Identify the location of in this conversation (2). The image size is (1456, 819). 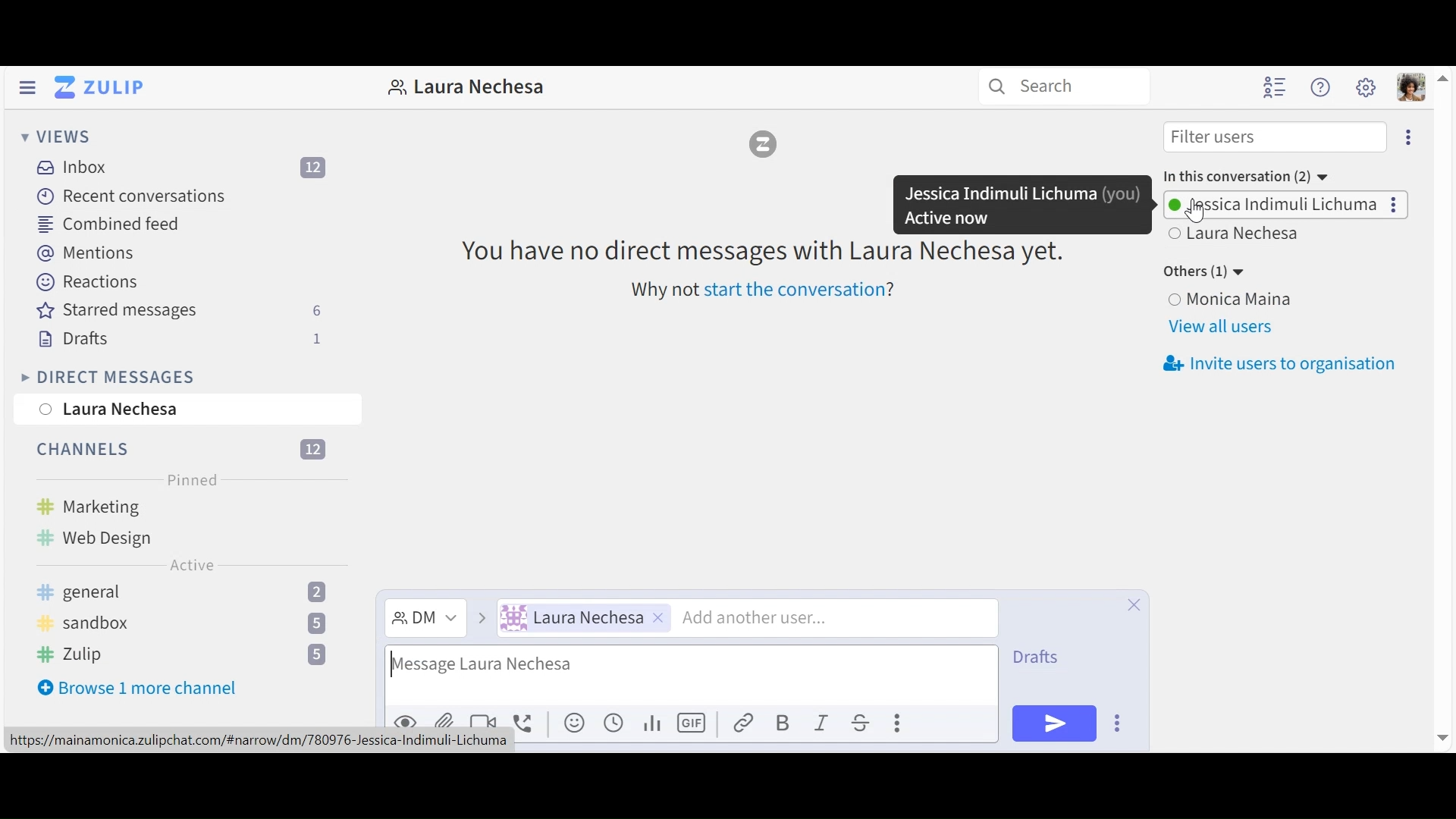
(1247, 175).